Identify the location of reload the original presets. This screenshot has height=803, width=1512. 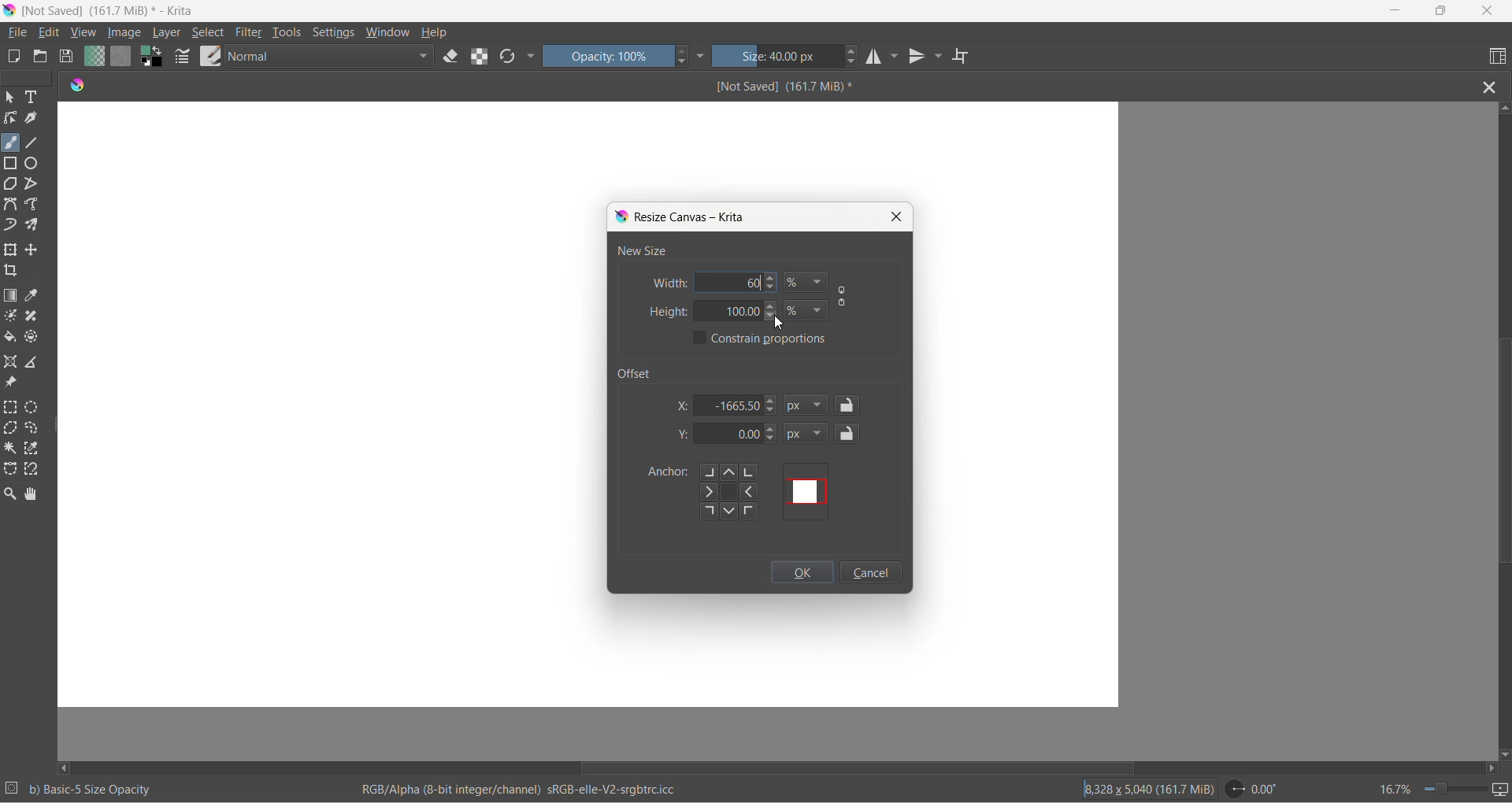
(510, 58).